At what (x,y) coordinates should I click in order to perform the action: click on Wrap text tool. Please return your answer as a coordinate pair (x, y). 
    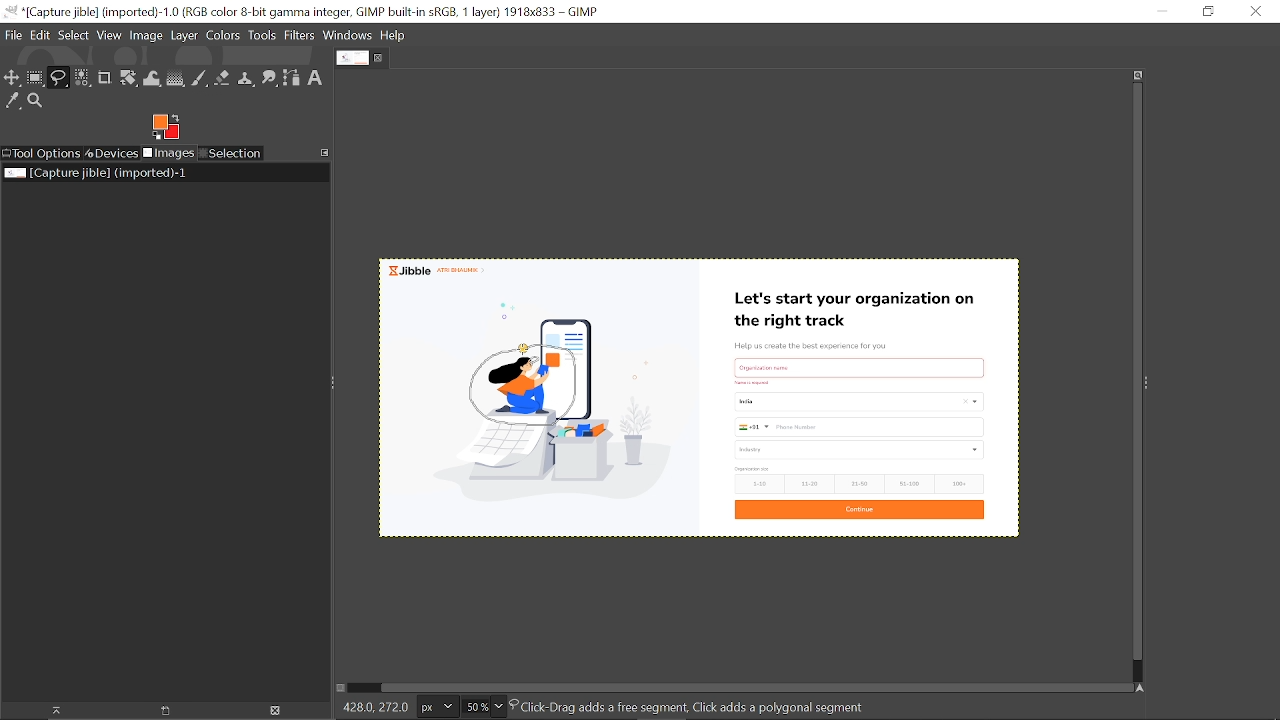
    Looking at the image, I should click on (153, 79).